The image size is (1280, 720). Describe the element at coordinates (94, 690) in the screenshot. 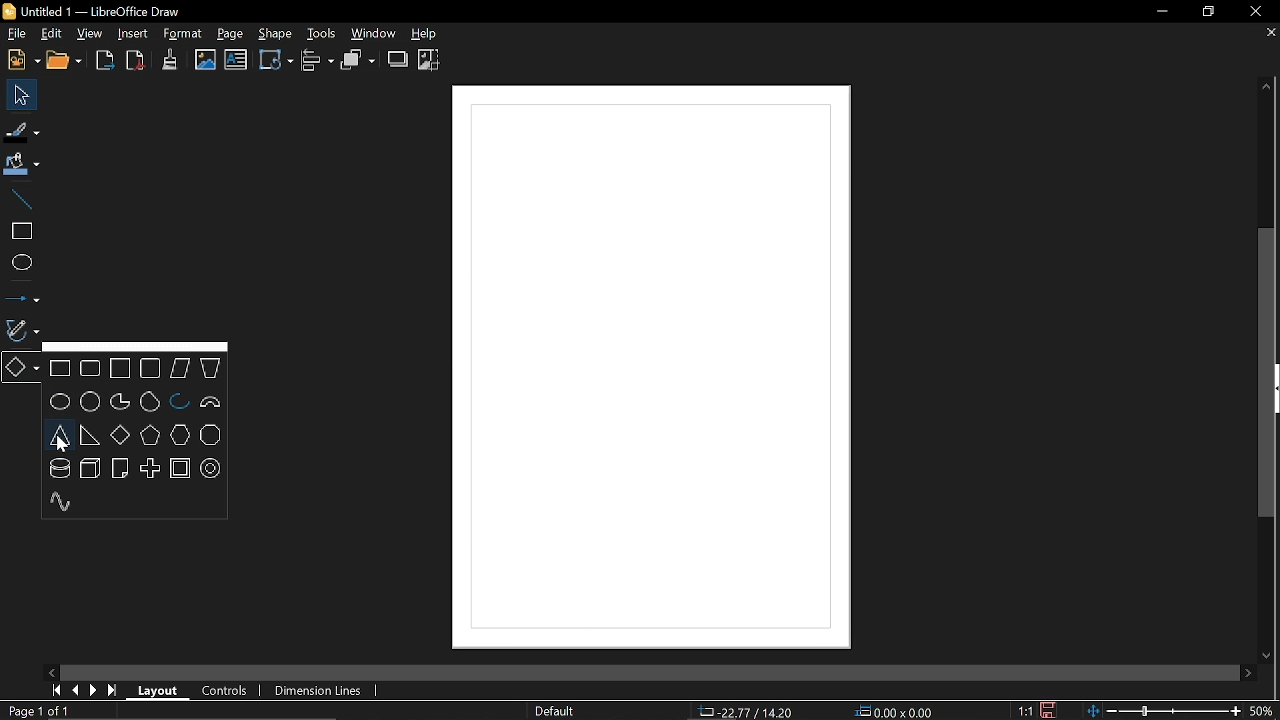

I see `Next page` at that location.